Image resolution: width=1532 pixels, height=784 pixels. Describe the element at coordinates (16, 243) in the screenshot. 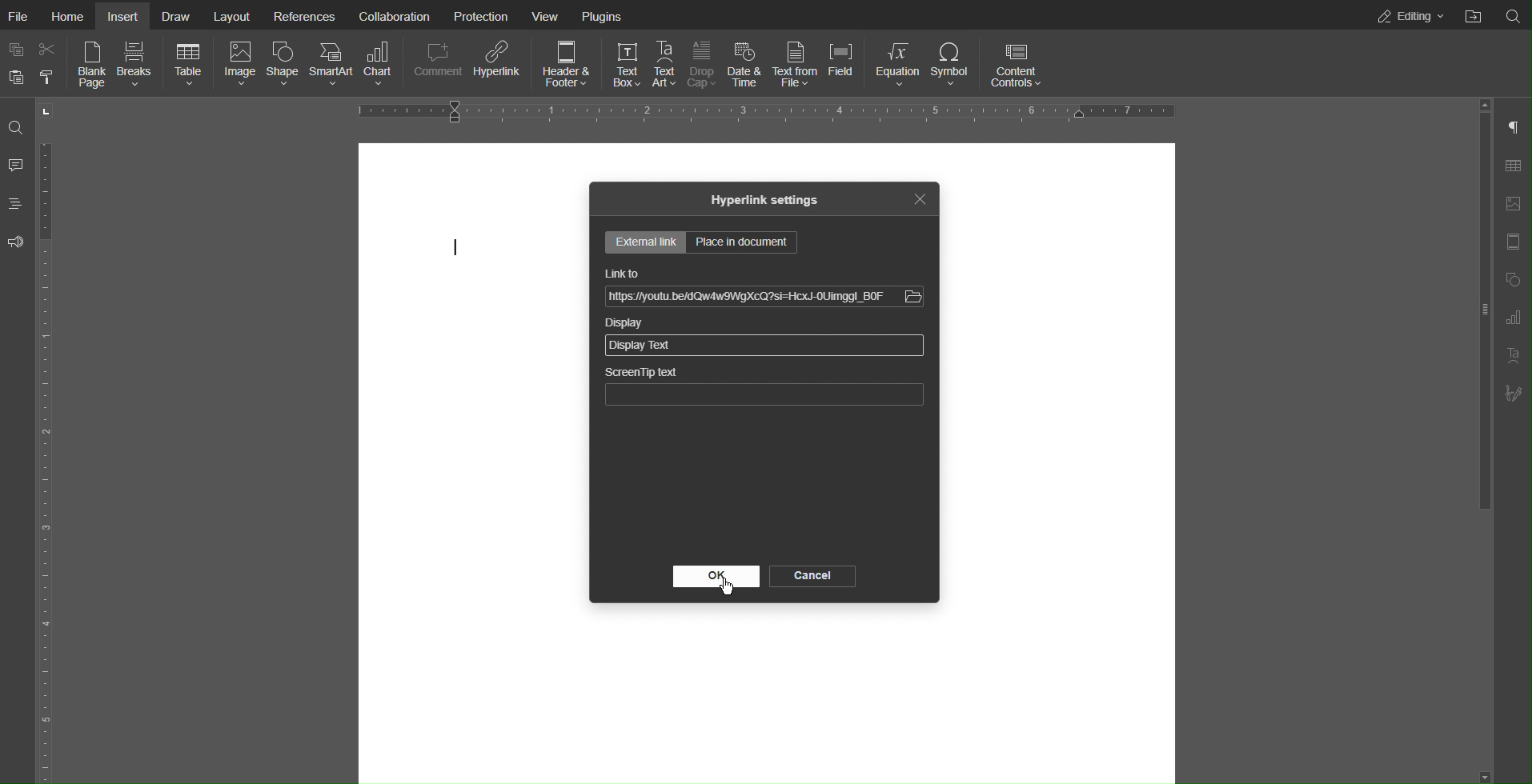

I see `Feedback and Support` at that location.